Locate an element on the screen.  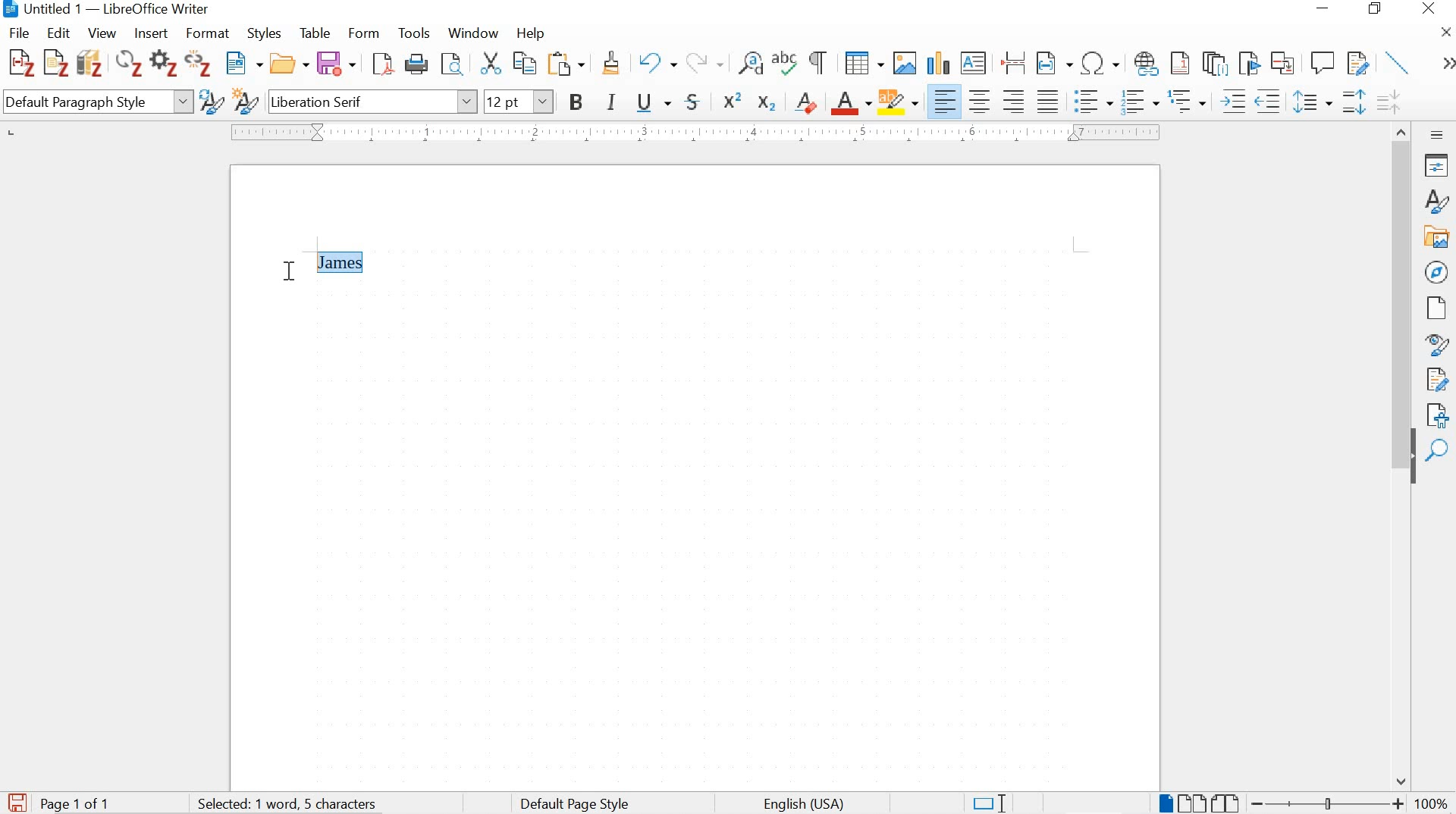
tools is located at coordinates (415, 33).